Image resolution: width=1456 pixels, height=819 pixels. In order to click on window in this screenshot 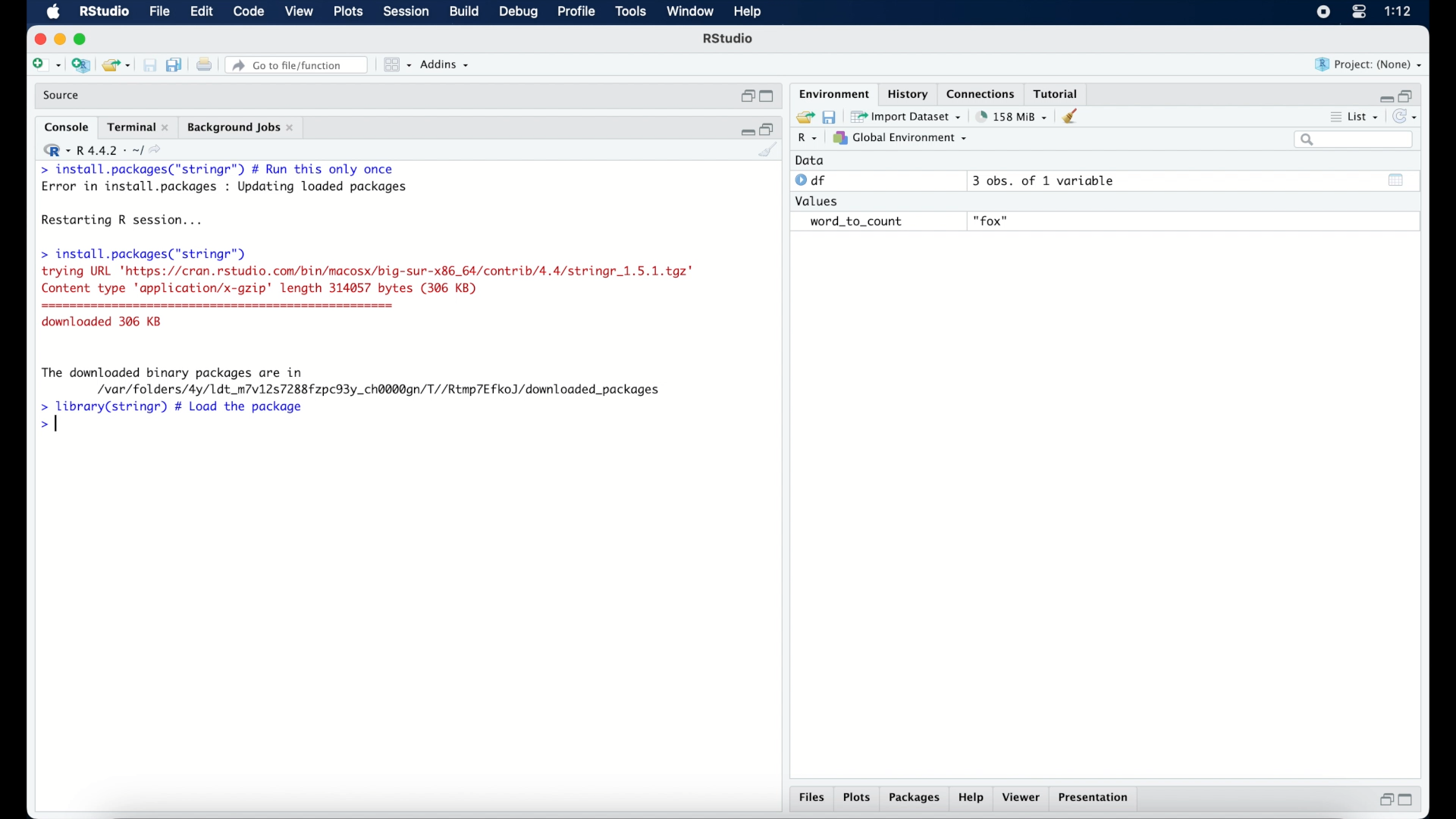, I will do `click(690, 12)`.